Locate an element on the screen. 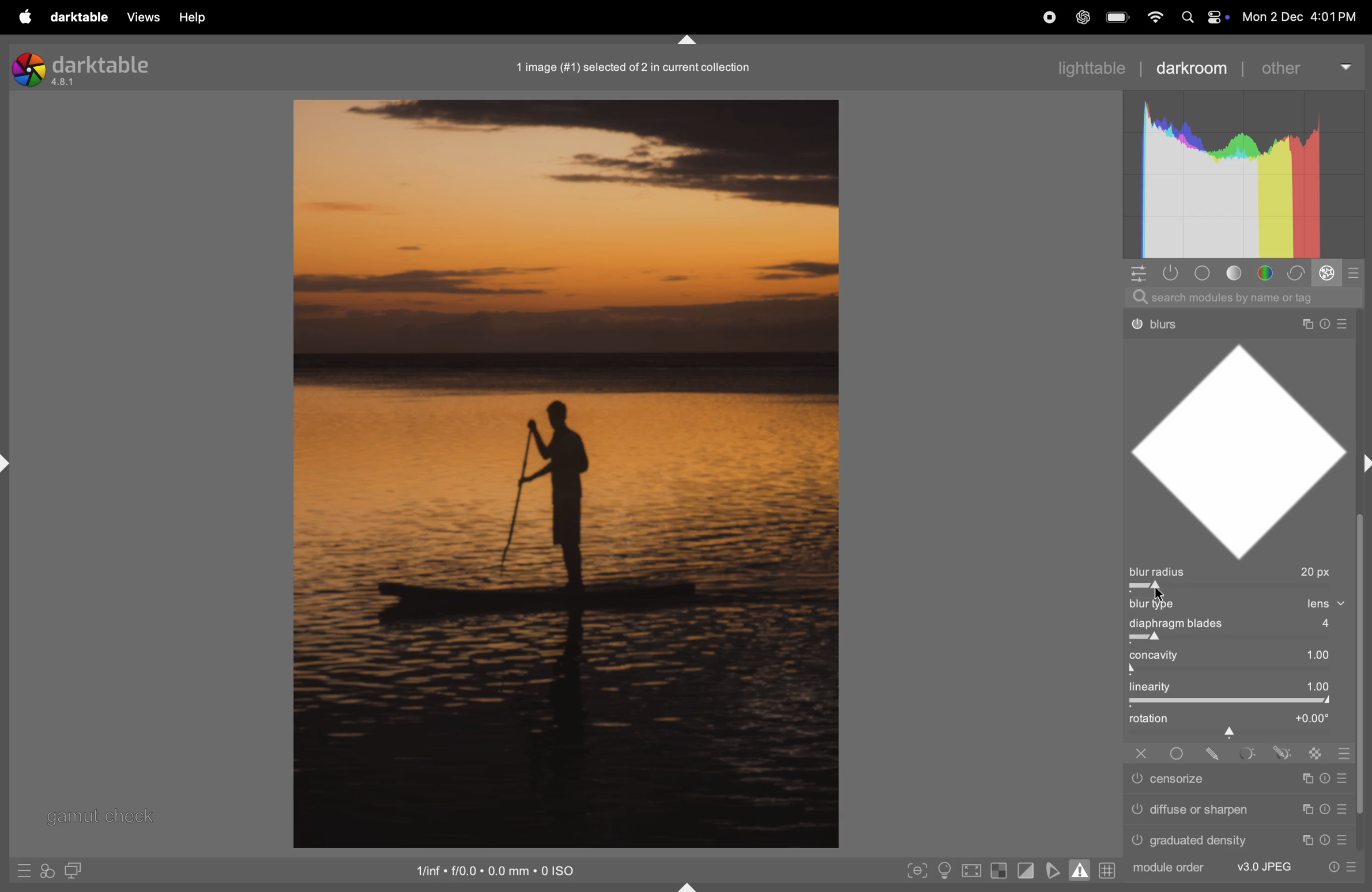 Image resolution: width=1372 pixels, height=892 pixels. toggle clipping indication is located at coordinates (1025, 872).